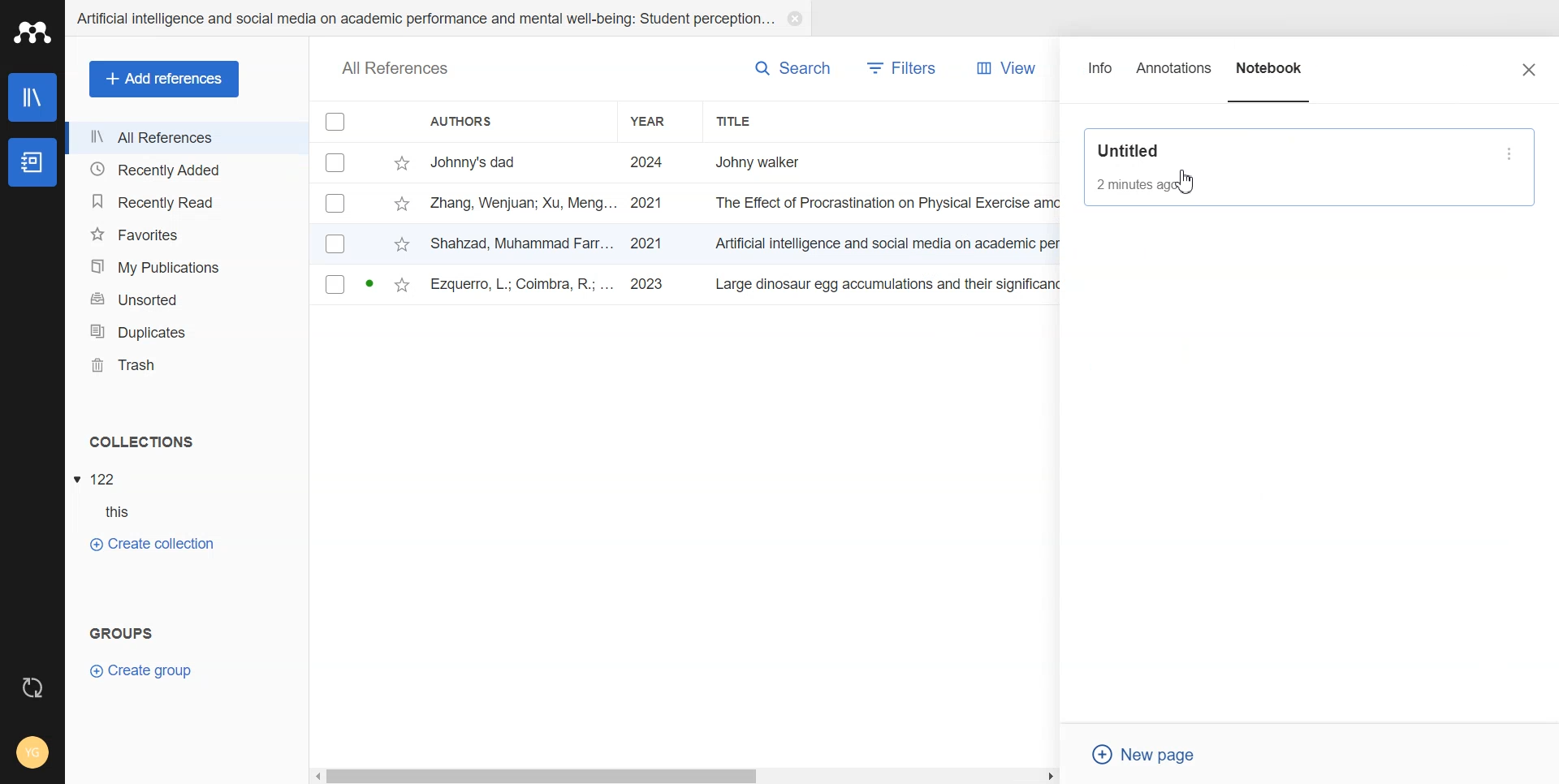 Image resolution: width=1559 pixels, height=784 pixels. Describe the element at coordinates (424, 19) in the screenshot. I see `Artificial intelligence and social media on academic performance and mental well-being: student perception...` at that location.